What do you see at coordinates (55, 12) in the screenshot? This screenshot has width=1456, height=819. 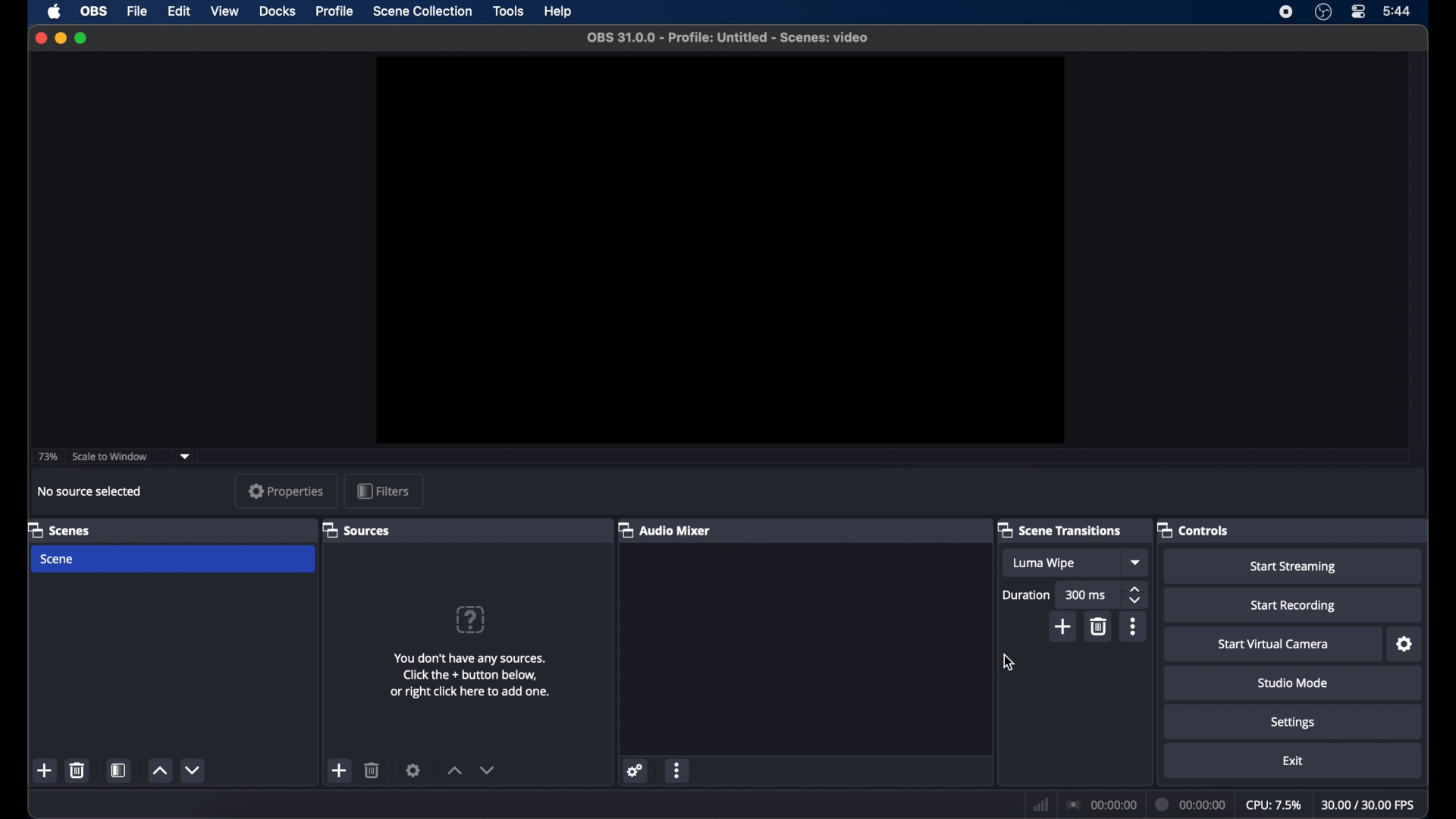 I see `apple icon` at bounding box center [55, 12].